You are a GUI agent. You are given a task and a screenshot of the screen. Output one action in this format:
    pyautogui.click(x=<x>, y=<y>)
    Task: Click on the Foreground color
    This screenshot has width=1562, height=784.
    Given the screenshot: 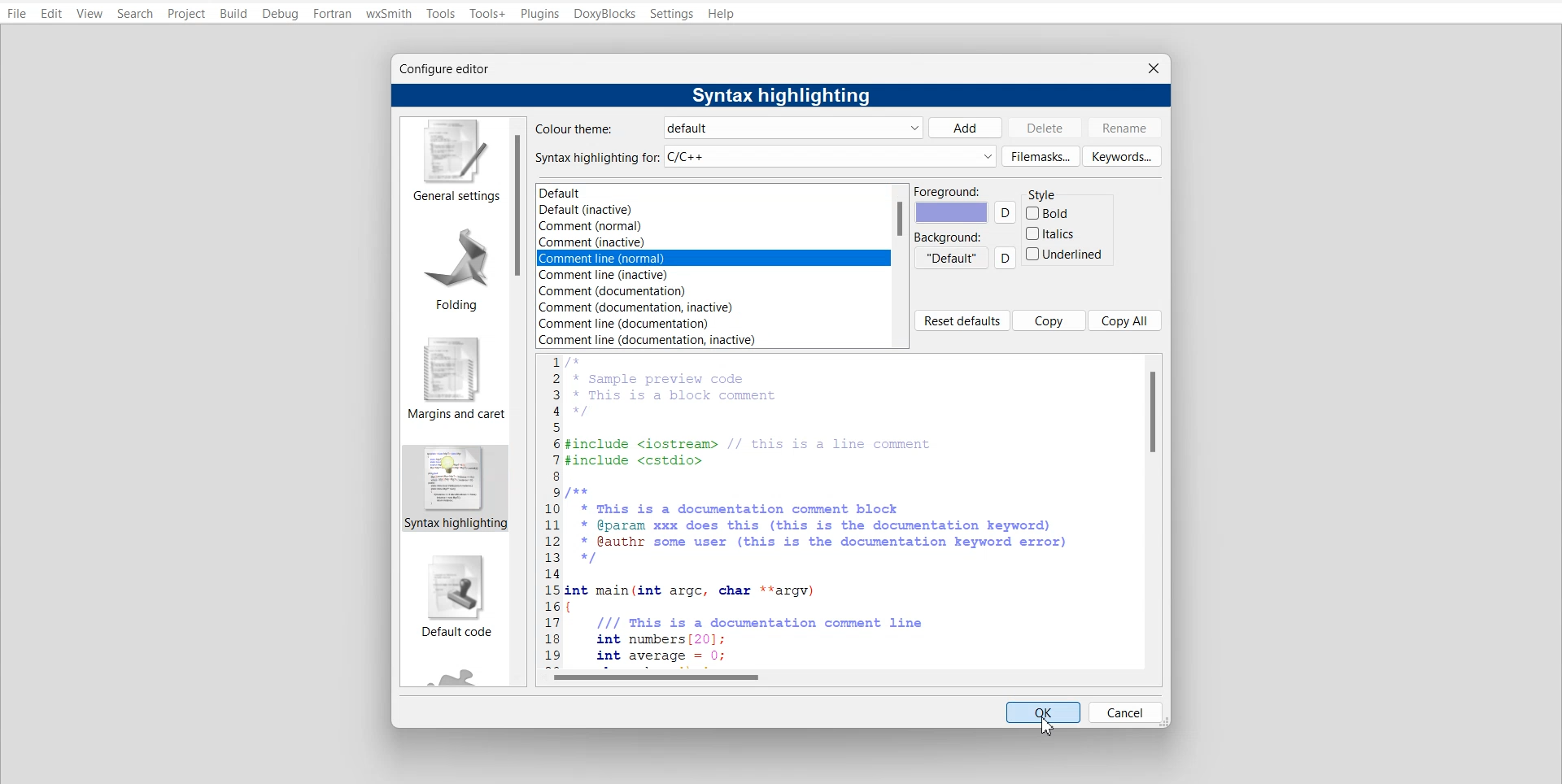 What is the action you would take?
    pyautogui.click(x=953, y=211)
    